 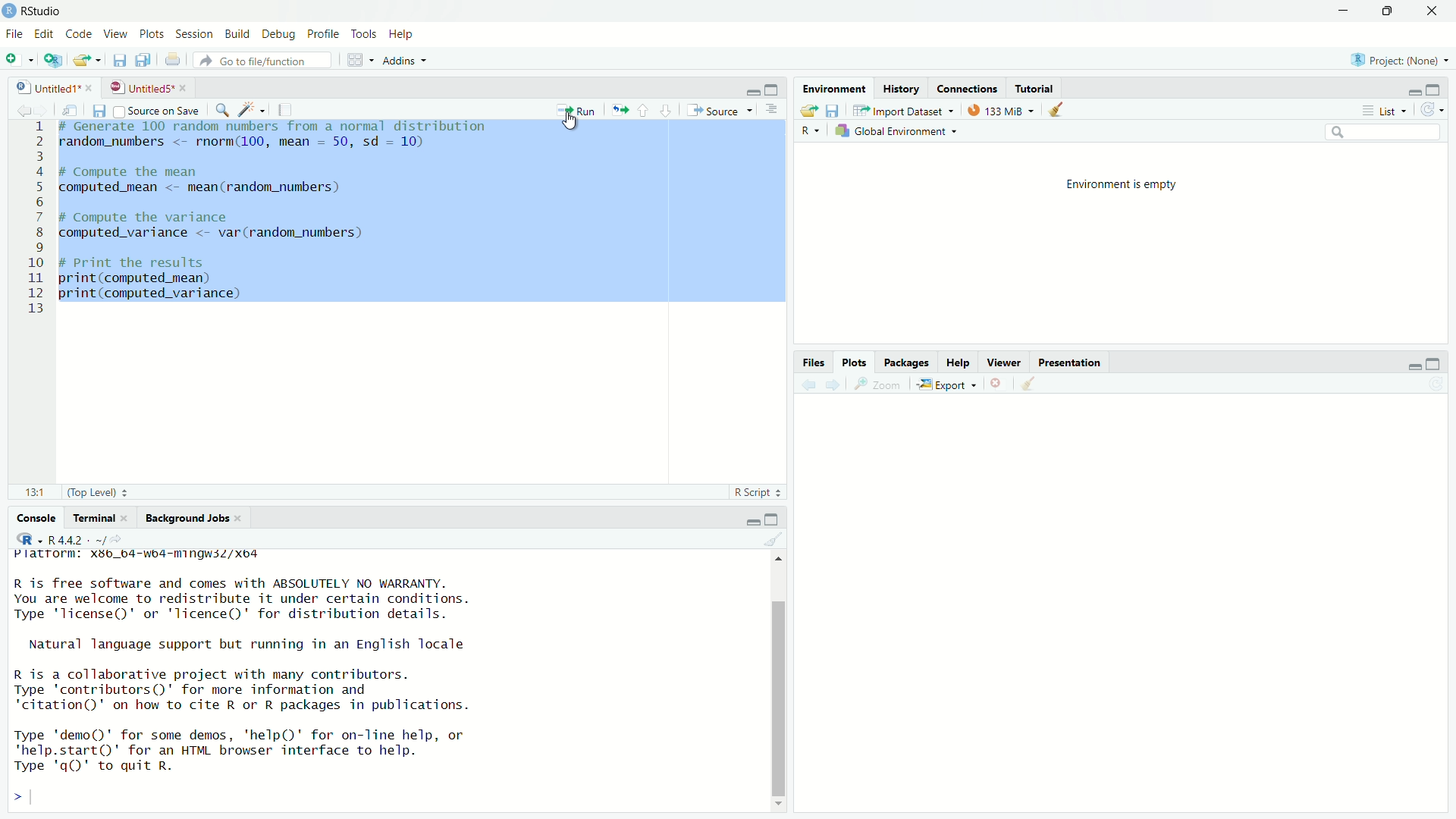 I want to click on minimize, so click(x=1409, y=89).